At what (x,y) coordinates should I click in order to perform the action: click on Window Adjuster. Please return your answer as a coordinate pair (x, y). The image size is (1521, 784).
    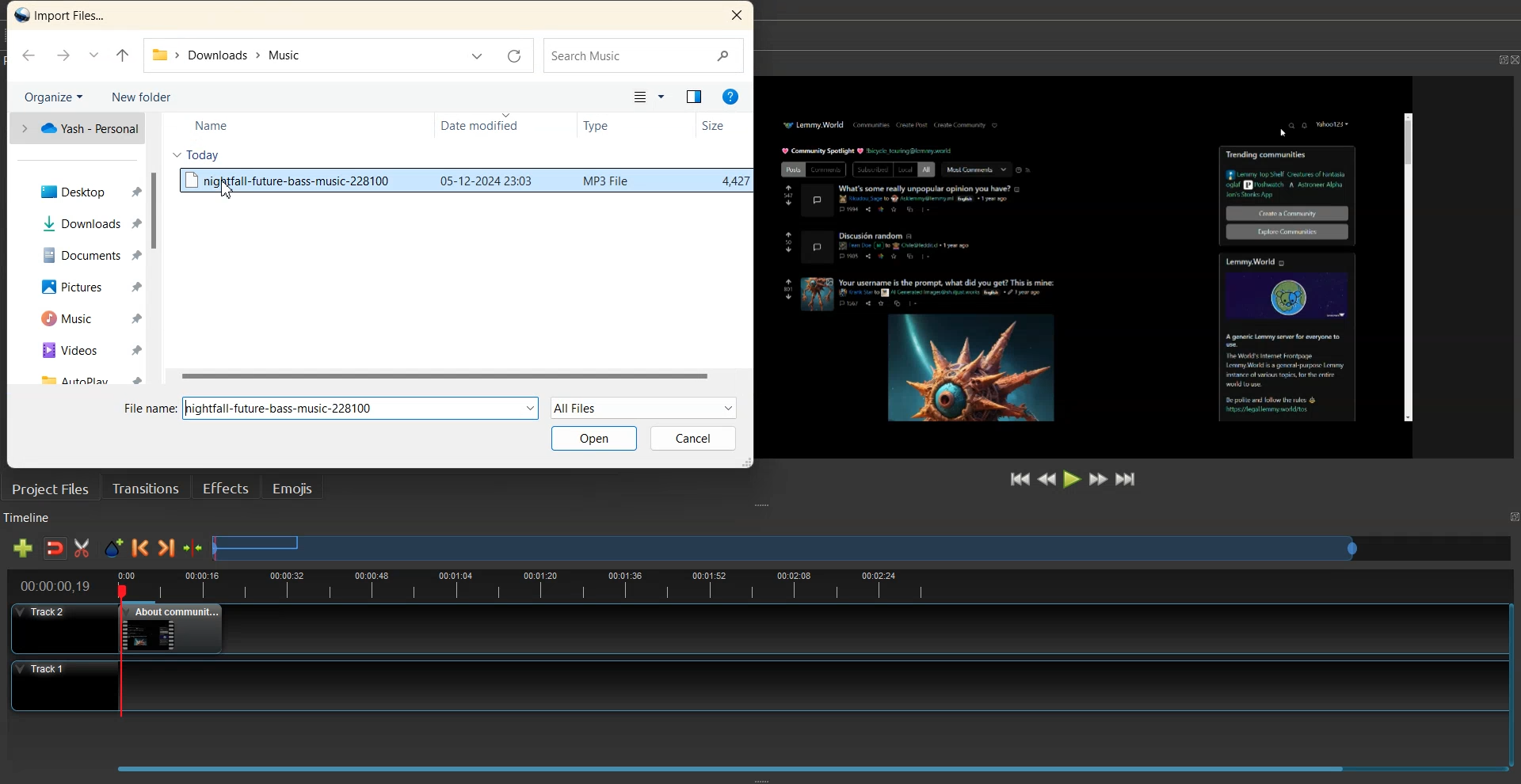
    Looking at the image, I should click on (762, 778).